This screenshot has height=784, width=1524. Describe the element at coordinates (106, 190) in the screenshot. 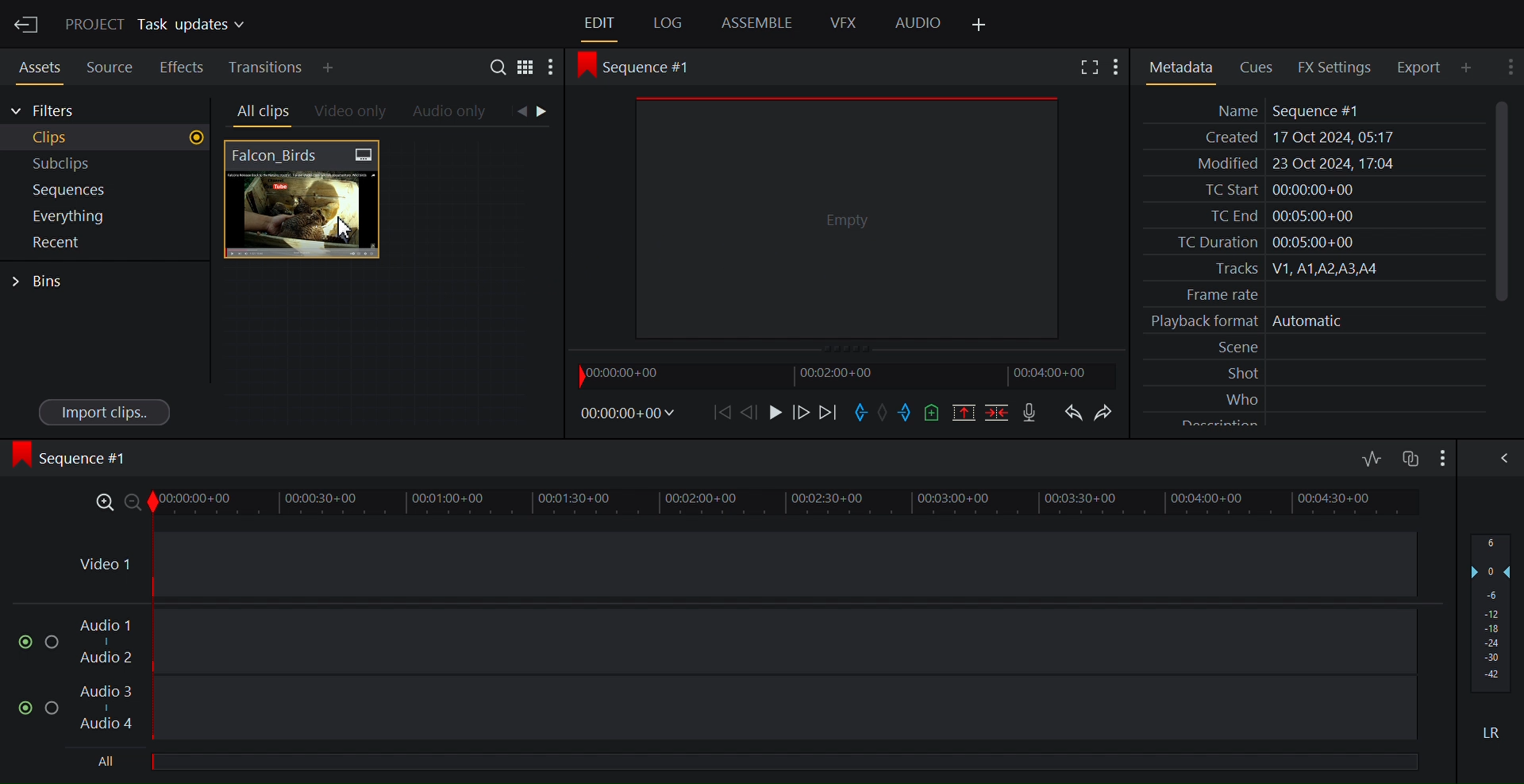

I see `Show Sequences in the current project` at that location.